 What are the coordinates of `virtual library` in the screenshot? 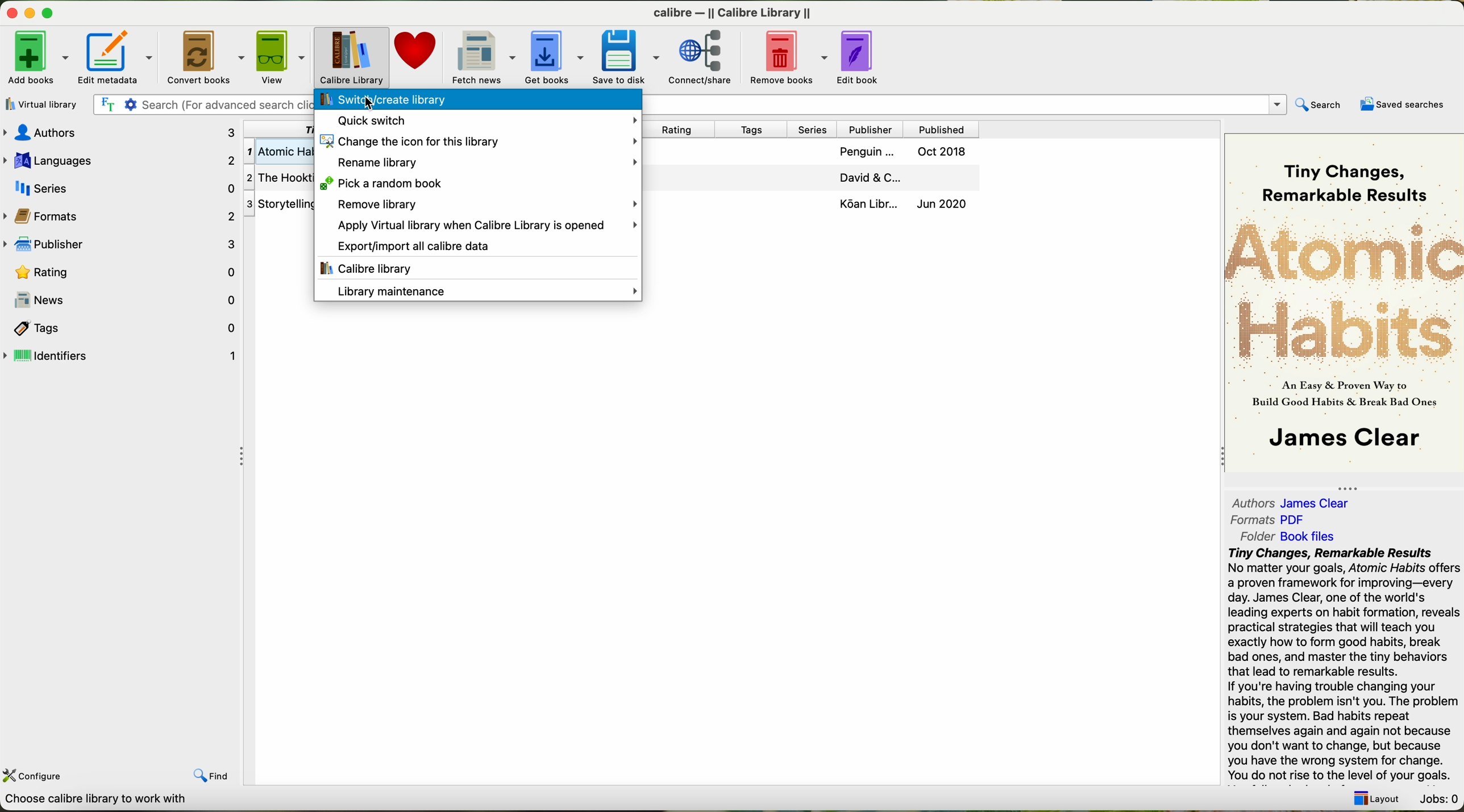 It's located at (43, 105).